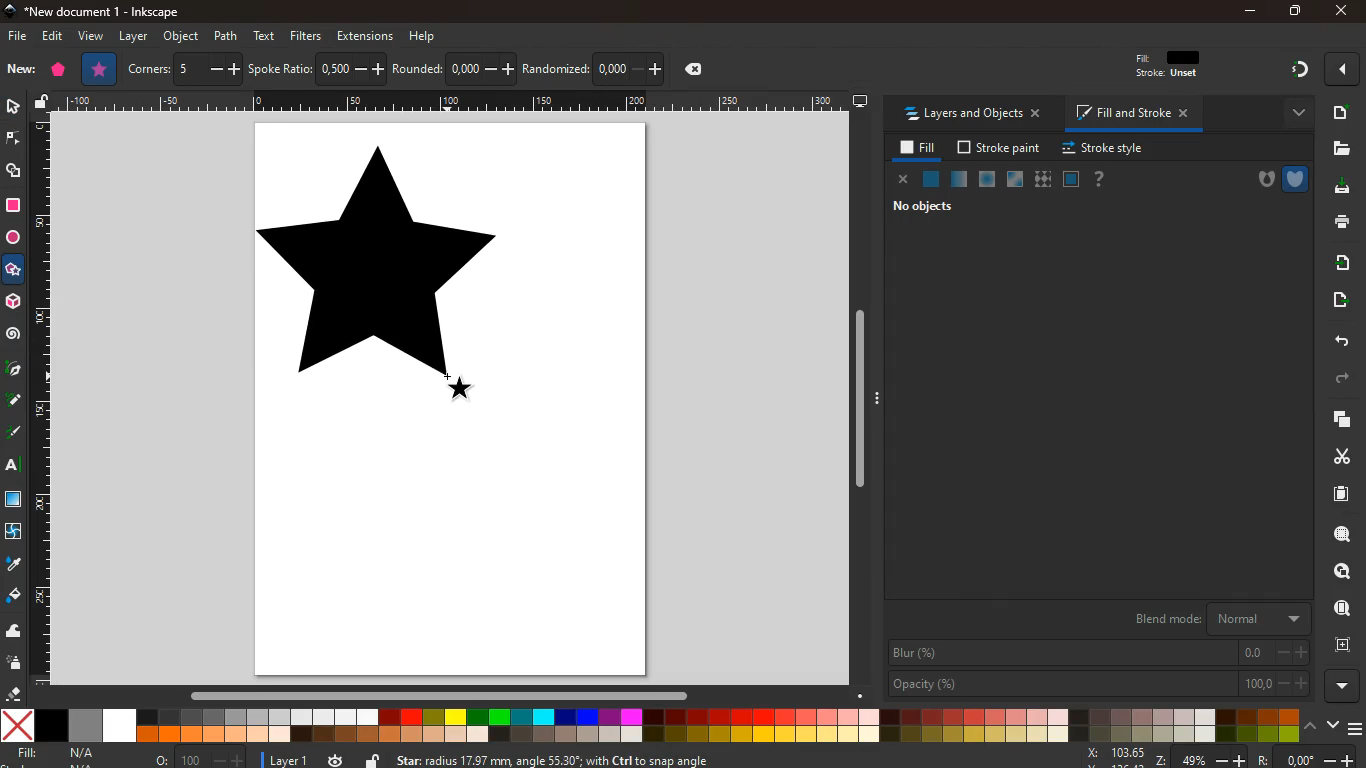 The image size is (1366, 768). I want to click on close, so click(903, 180).